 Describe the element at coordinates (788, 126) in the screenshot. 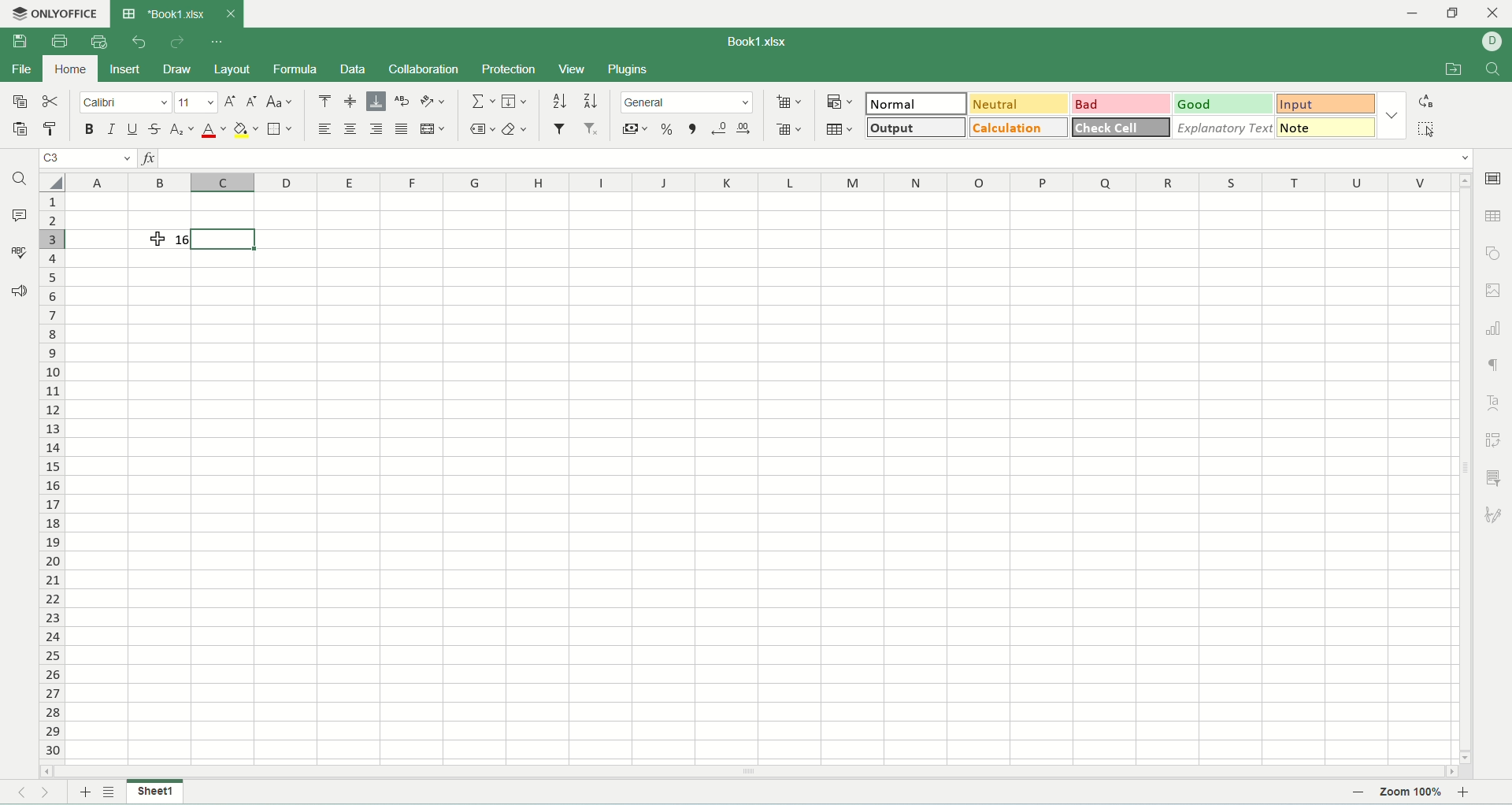

I see `delete cells` at that location.